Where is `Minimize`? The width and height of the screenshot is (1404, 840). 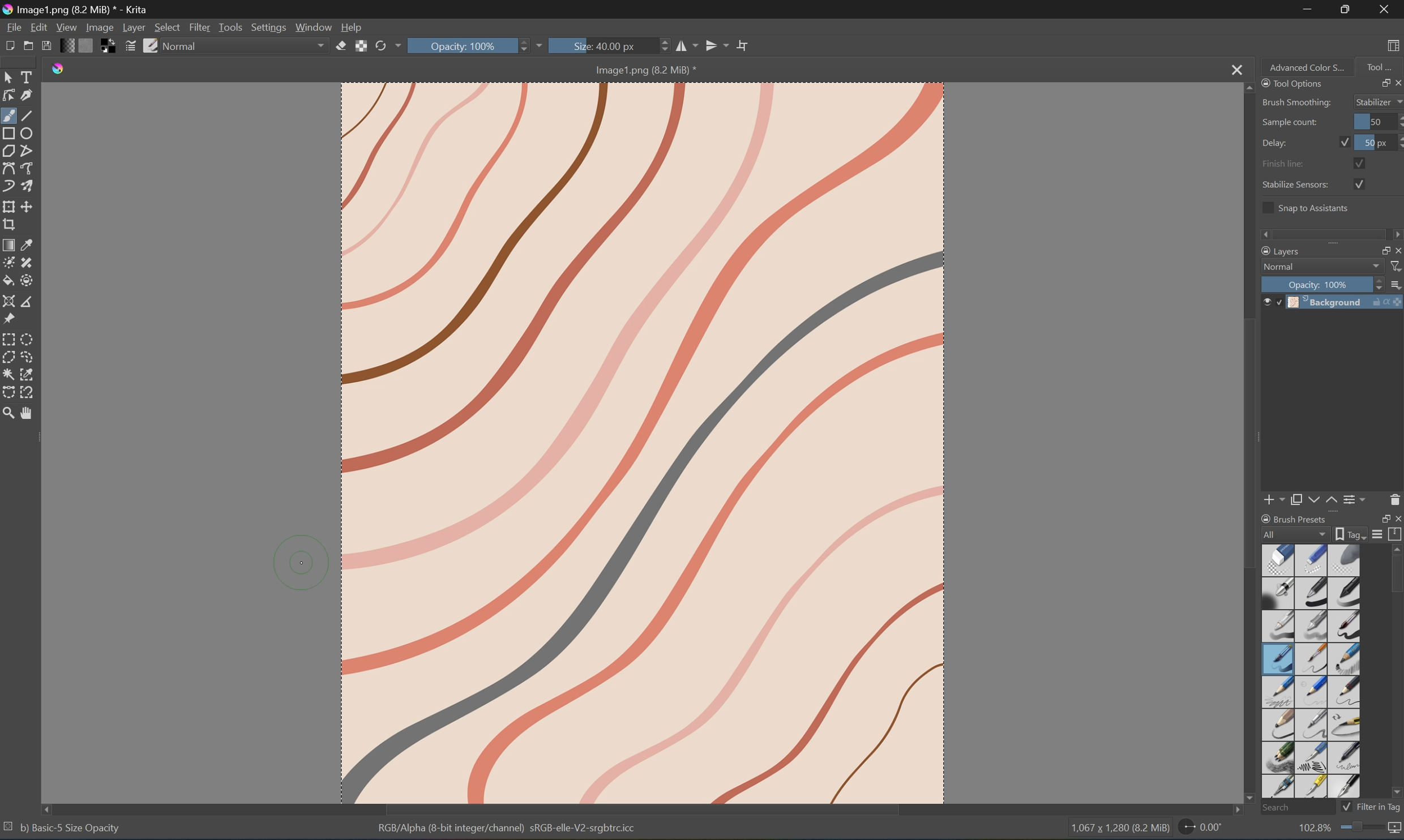 Minimize is located at coordinates (1308, 10).